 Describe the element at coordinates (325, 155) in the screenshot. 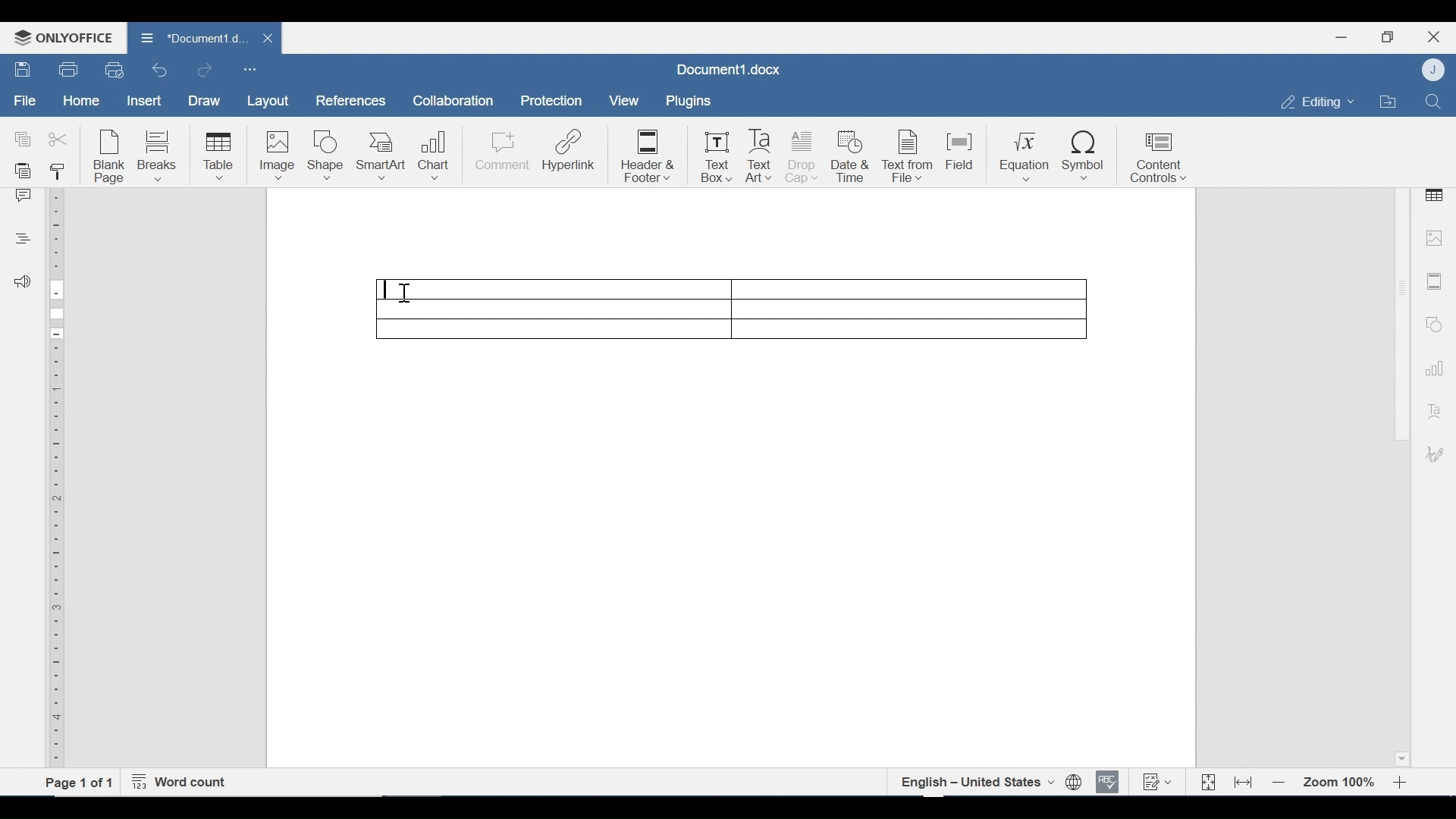

I see `Shape` at that location.